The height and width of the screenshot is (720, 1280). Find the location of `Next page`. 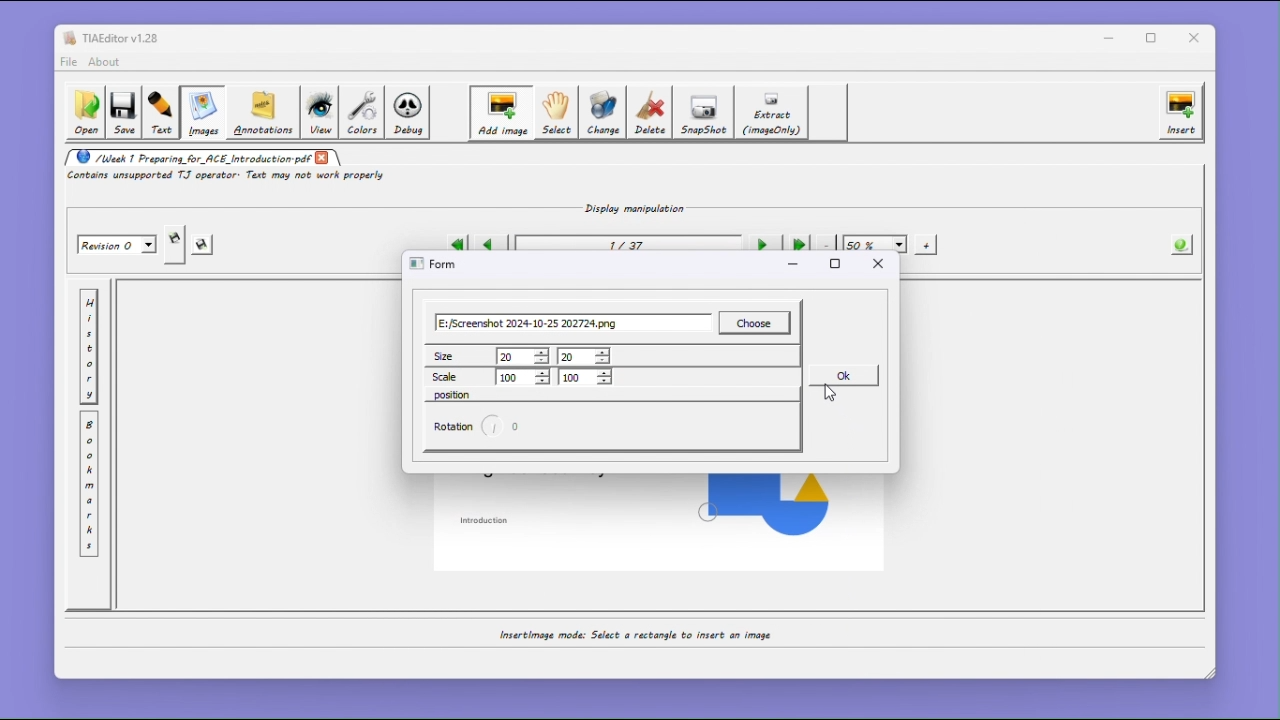

Next page is located at coordinates (762, 245).